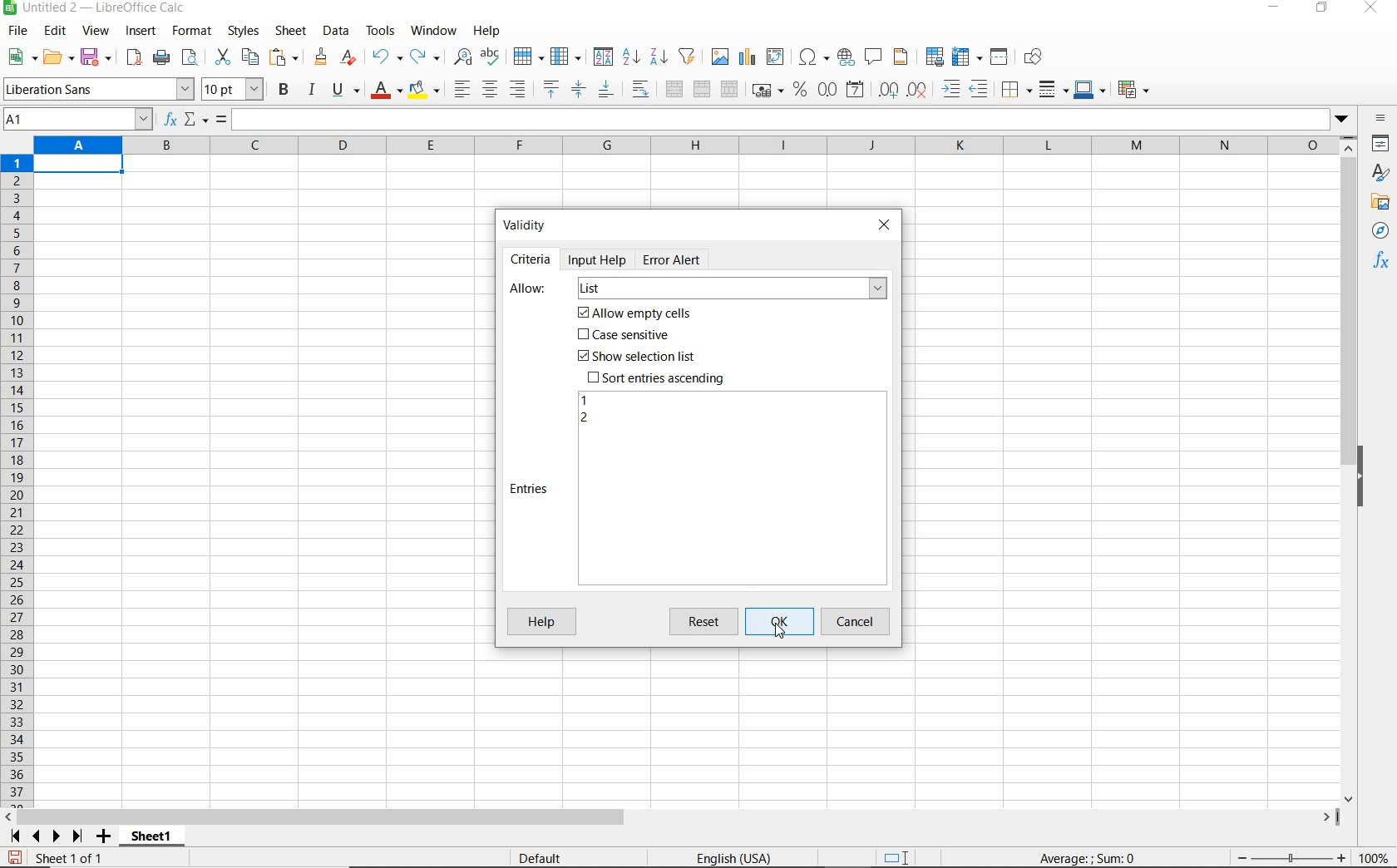  I want to click on row, so click(528, 57).